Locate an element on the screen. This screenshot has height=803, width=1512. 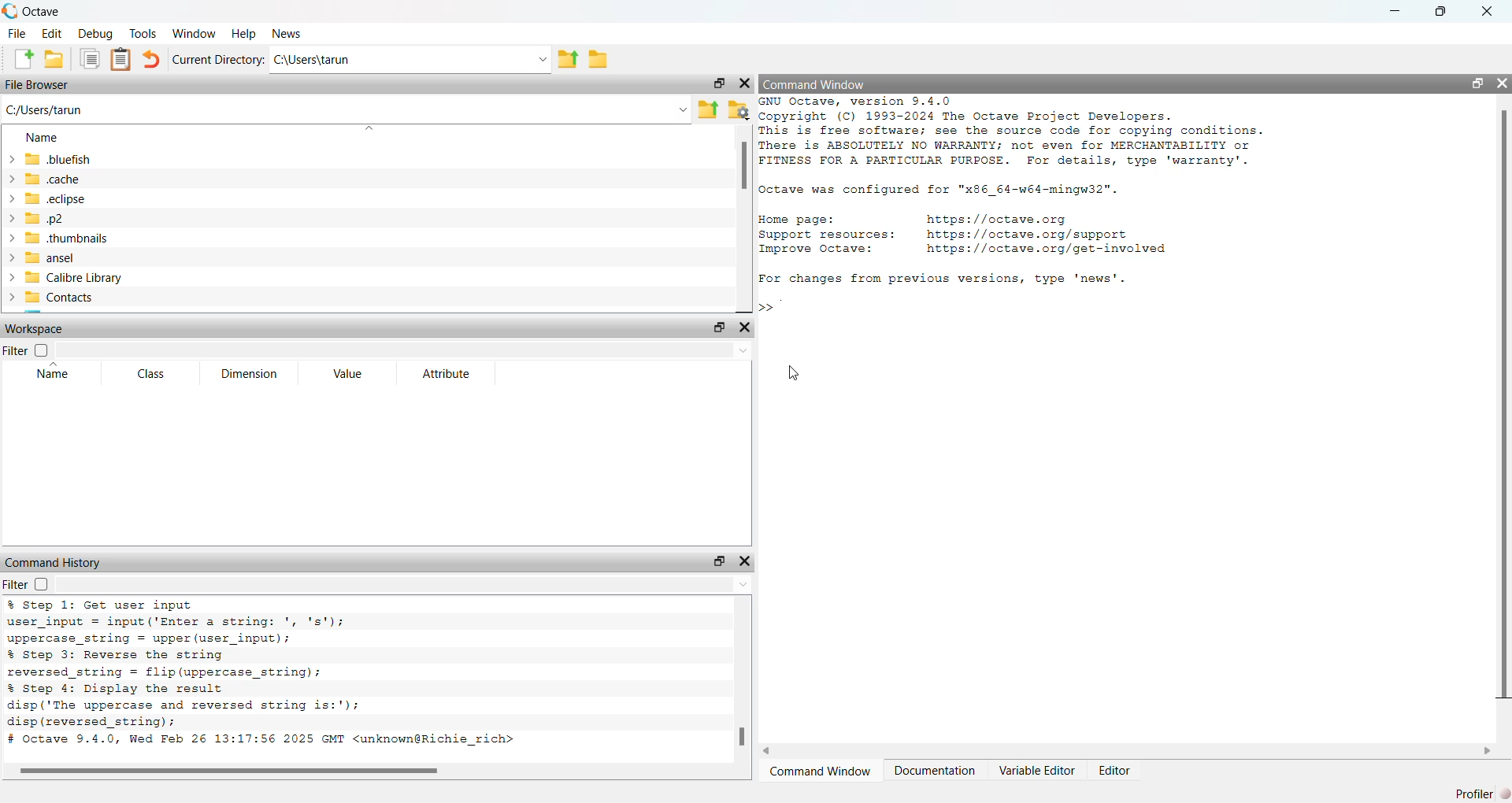
copy is located at coordinates (90, 60).